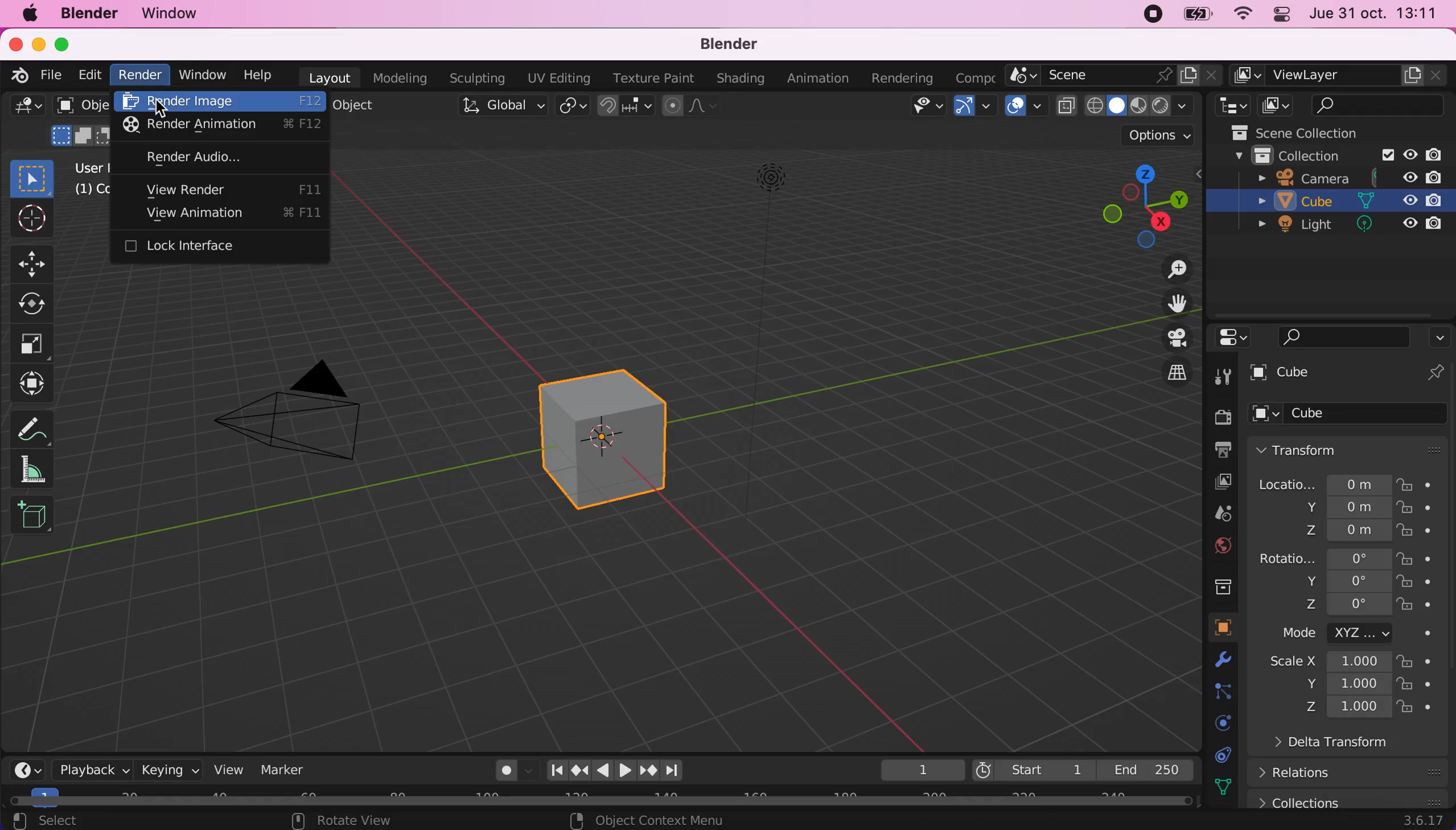 The height and width of the screenshot is (830, 1456). What do you see at coordinates (740, 79) in the screenshot?
I see `shading` at bounding box center [740, 79].